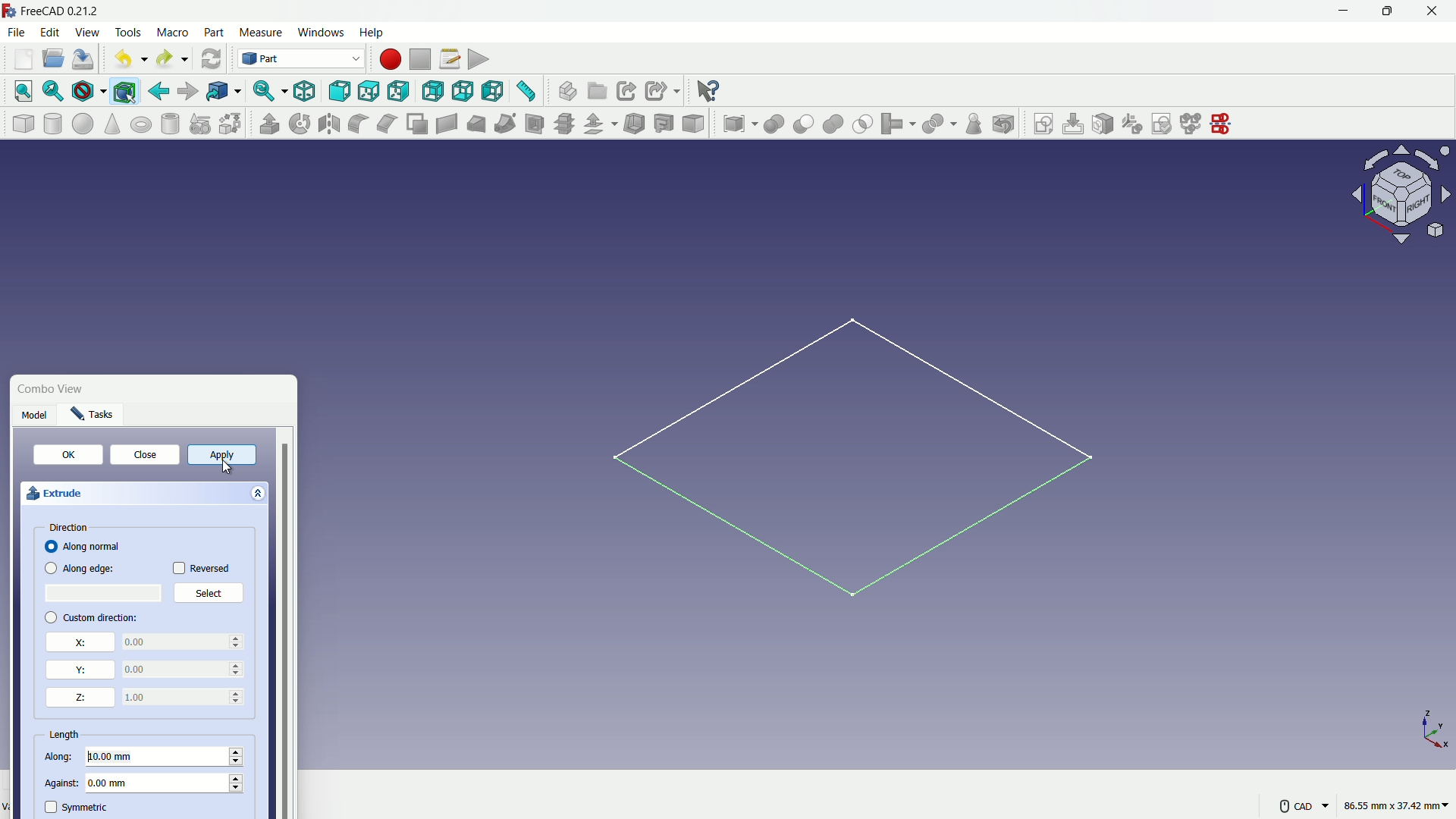 The height and width of the screenshot is (819, 1456). I want to click on sweep, so click(505, 125).